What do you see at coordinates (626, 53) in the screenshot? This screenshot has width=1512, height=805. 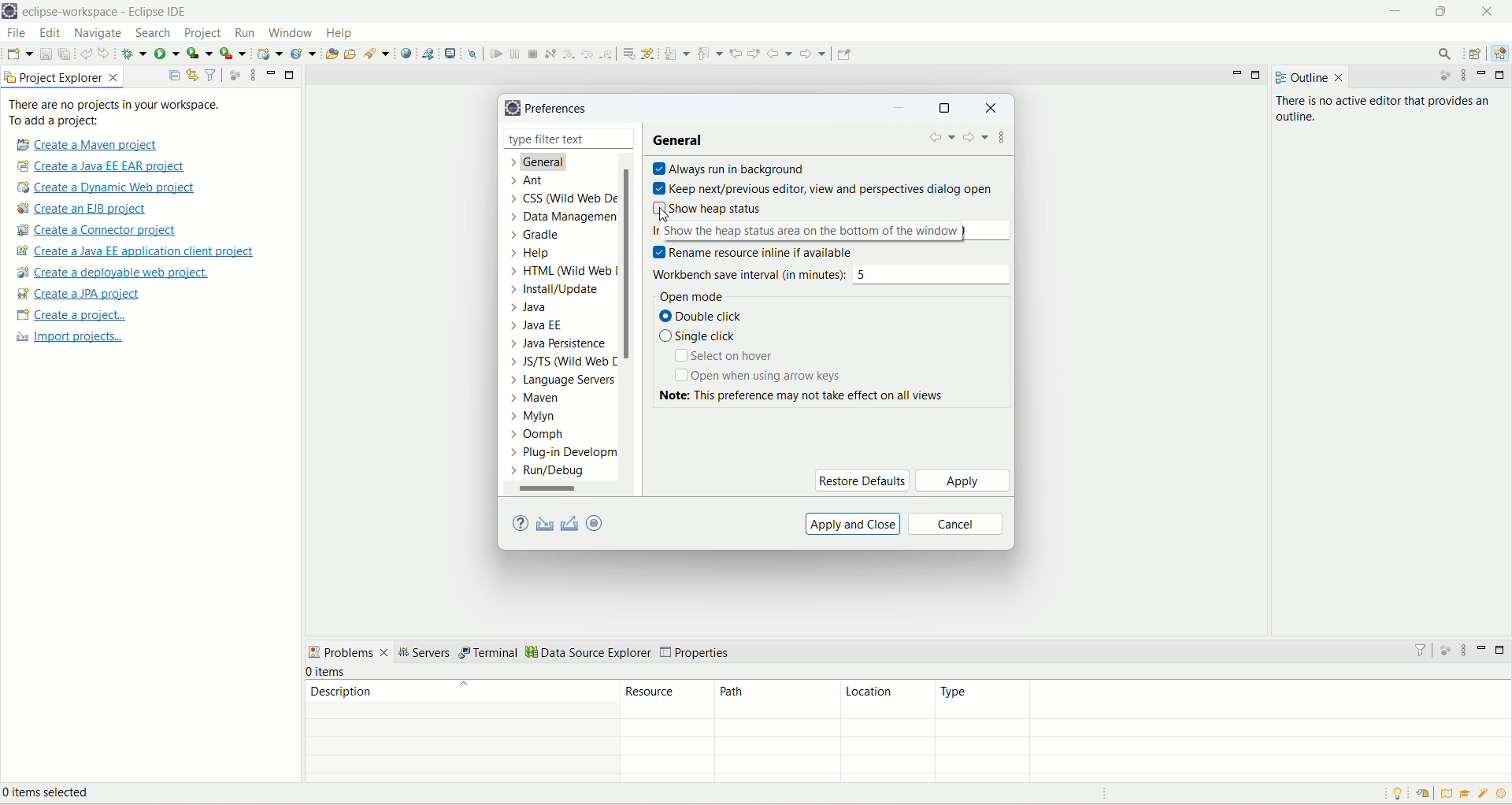 I see `drop to frames` at bounding box center [626, 53].